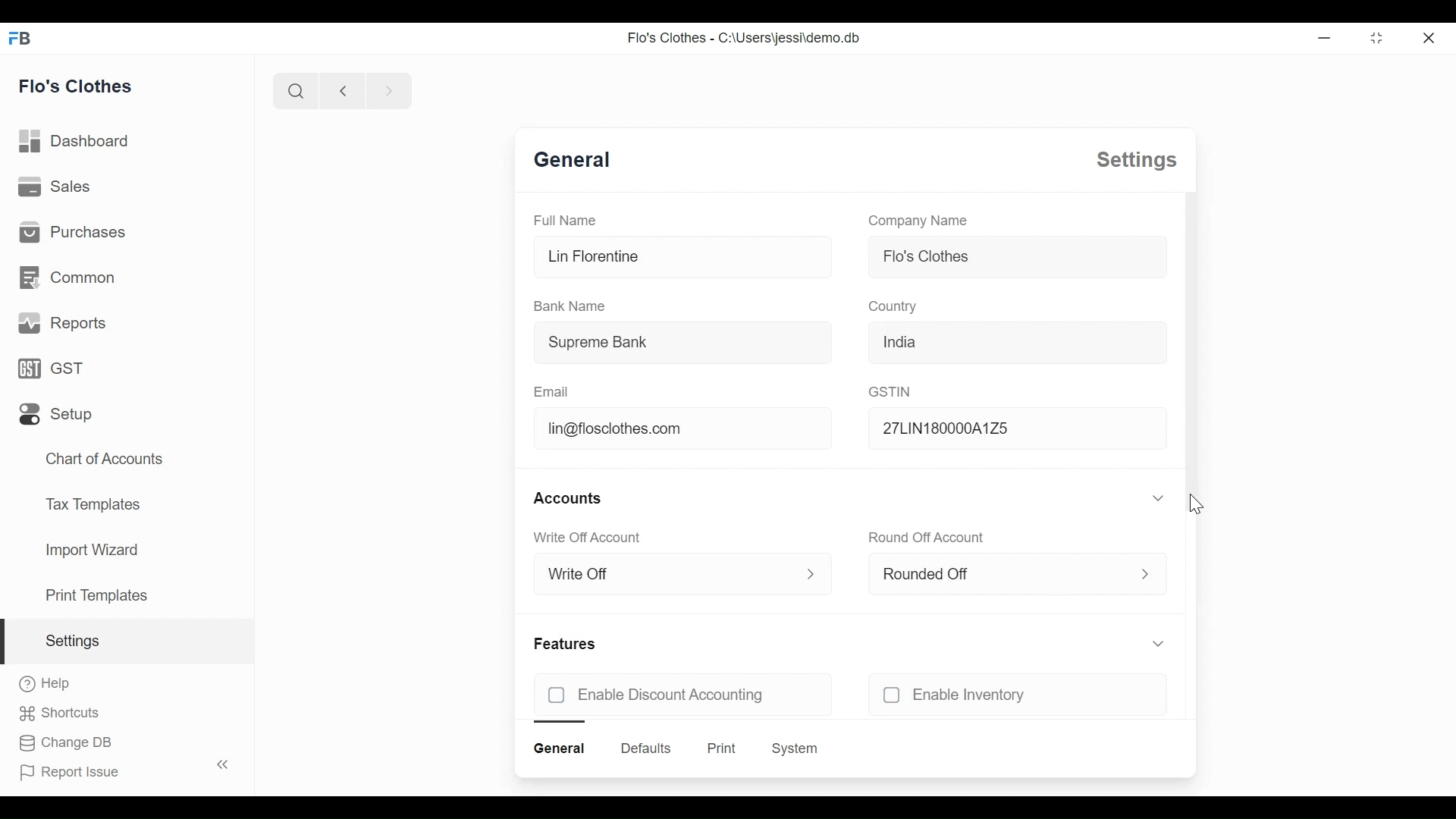 This screenshot has width=1456, height=819. What do you see at coordinates (720, 748) in the screenshot?
I see `Print` at bounding box center [720, 748].